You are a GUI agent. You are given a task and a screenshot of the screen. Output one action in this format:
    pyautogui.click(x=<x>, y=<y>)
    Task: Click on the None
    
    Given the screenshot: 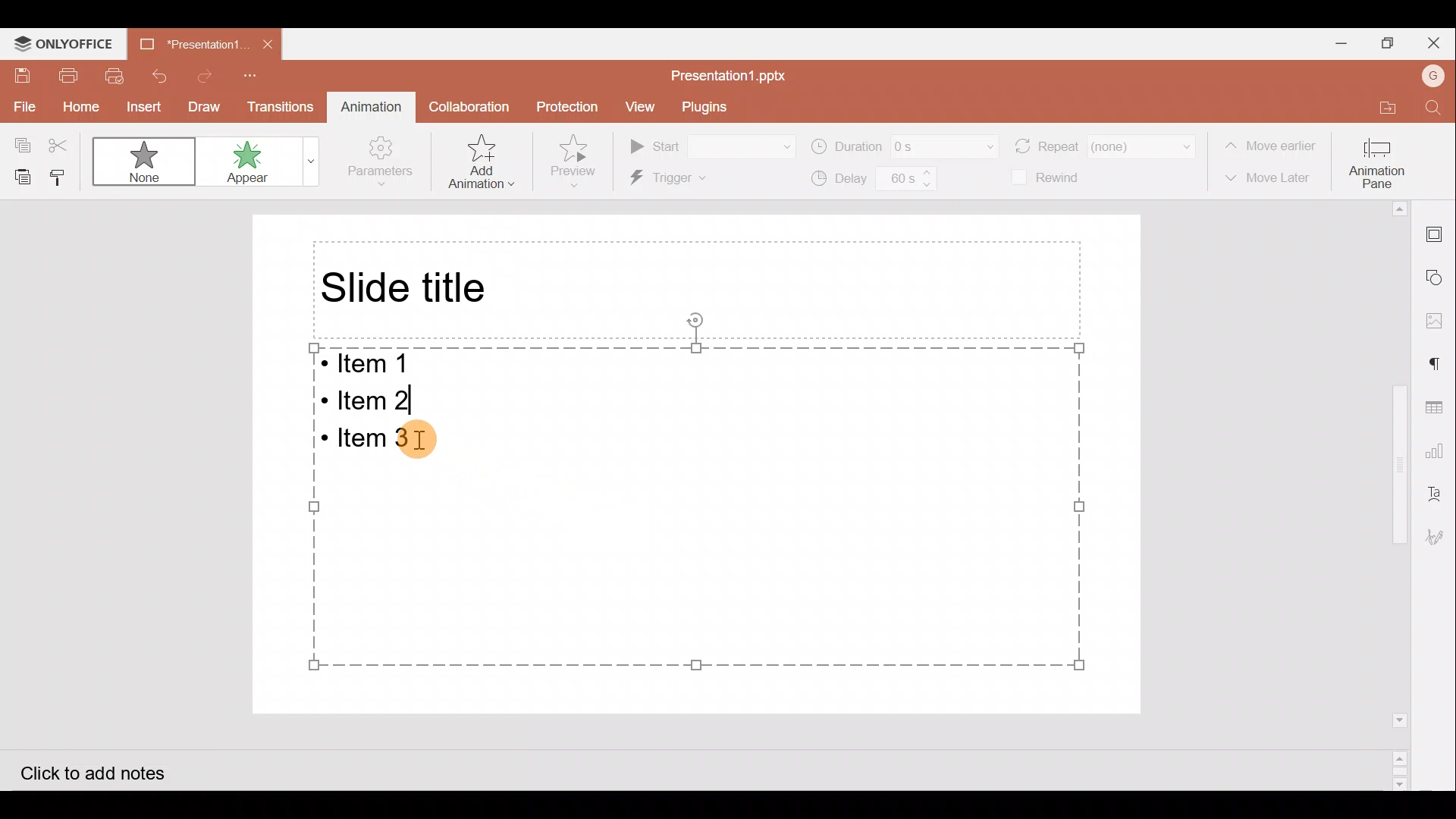 What is the action you would take?
    pyautogui.click(x=141, y=160)
    